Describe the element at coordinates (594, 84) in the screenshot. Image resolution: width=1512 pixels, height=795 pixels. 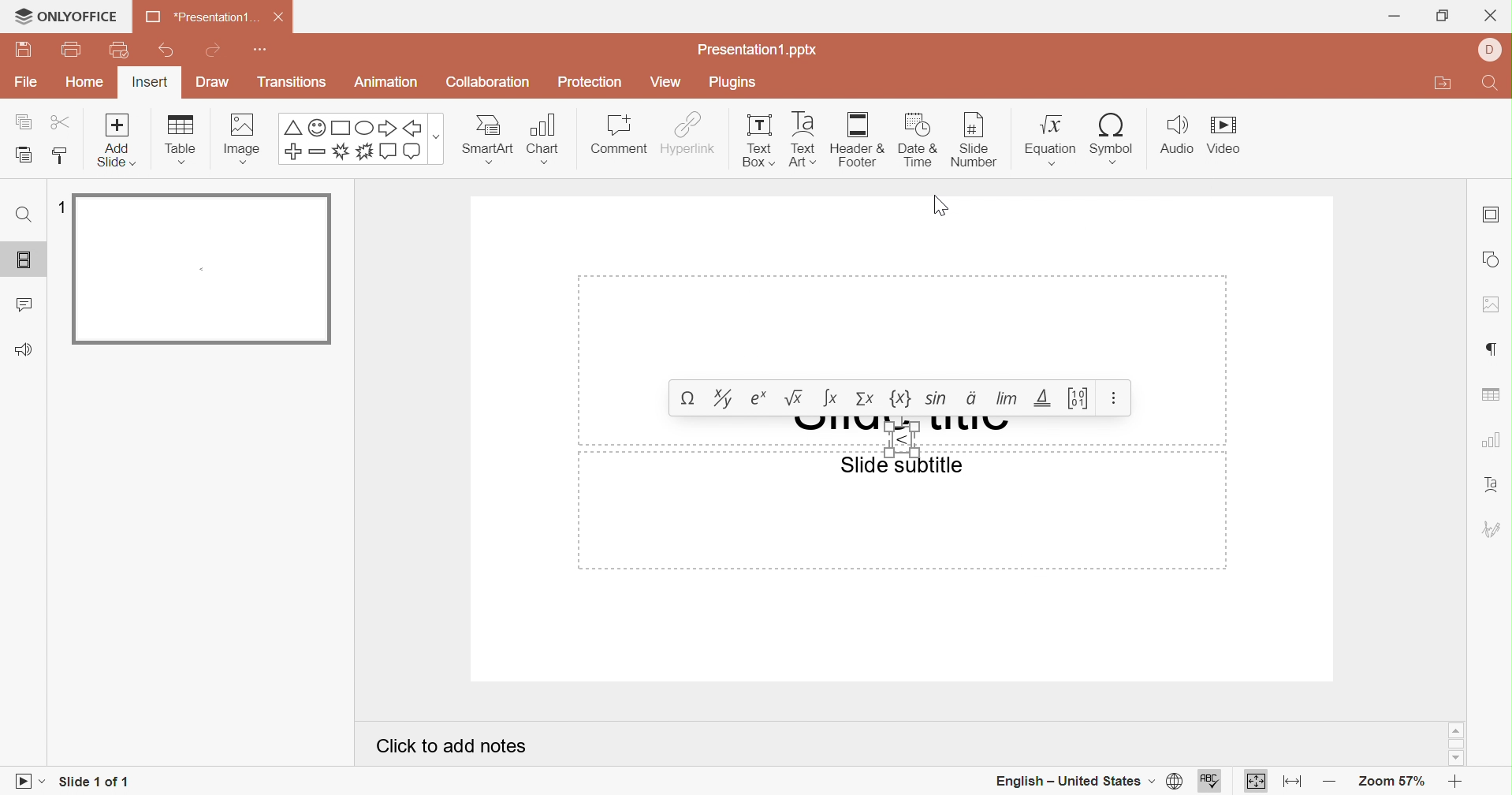
I see `Protection` at that location.